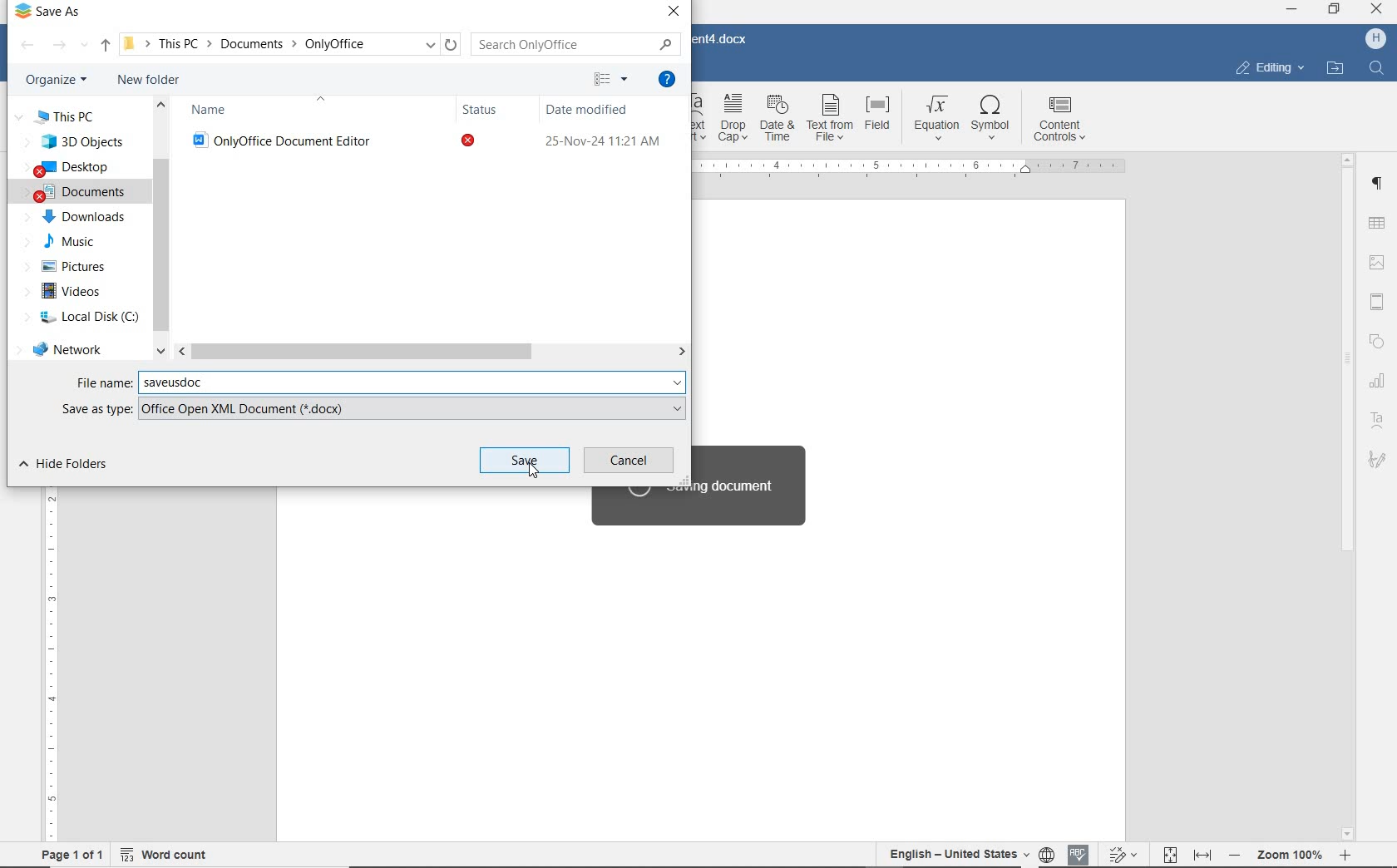 This screenshot has height=868, width=1397. What do you see at coordinates (68, 857) in the screenshot?
I see `page 1 of 1` at bounding box center [68, 857].